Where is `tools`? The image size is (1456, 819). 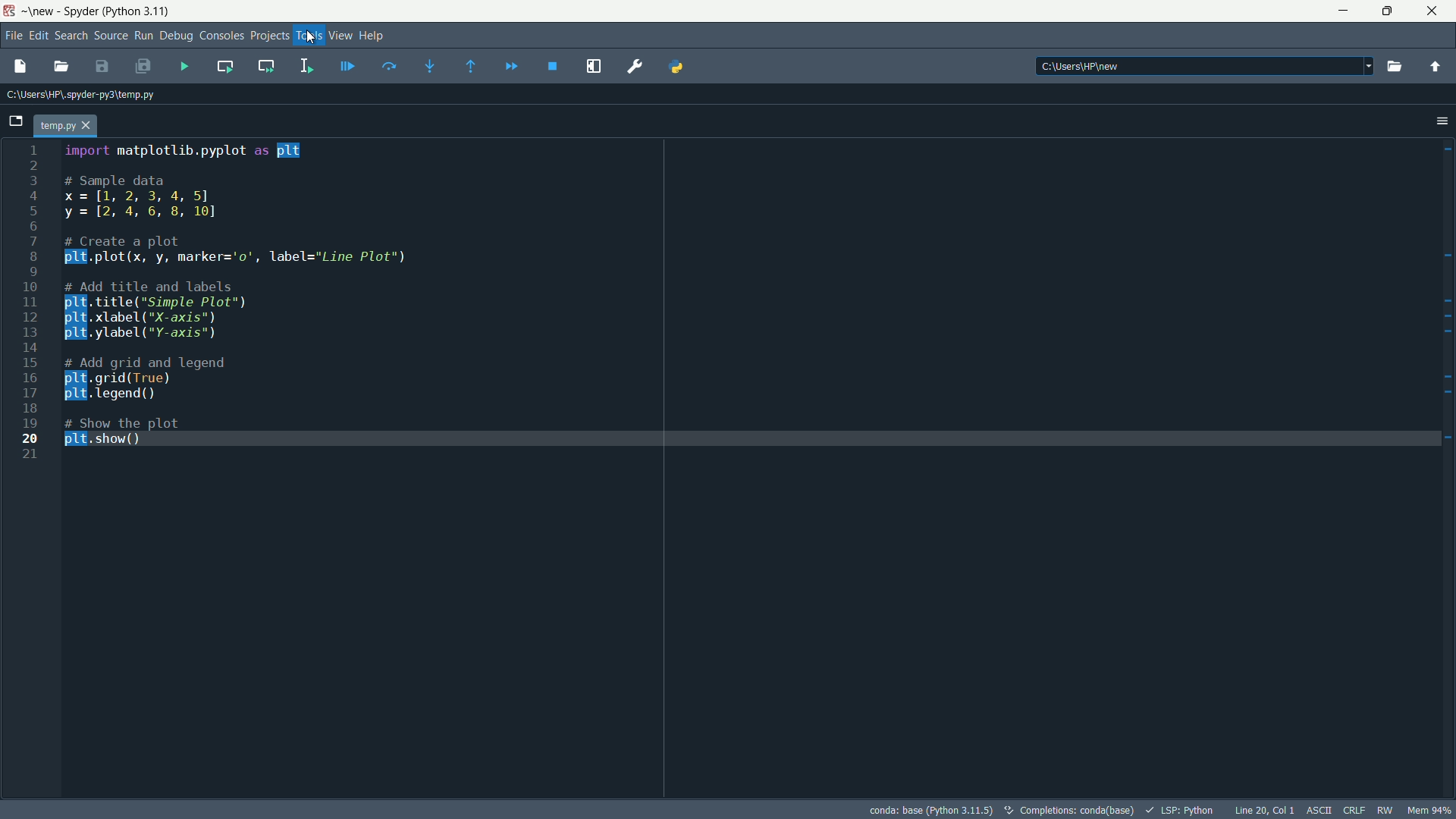 tools is located at coordinates (309, 36).